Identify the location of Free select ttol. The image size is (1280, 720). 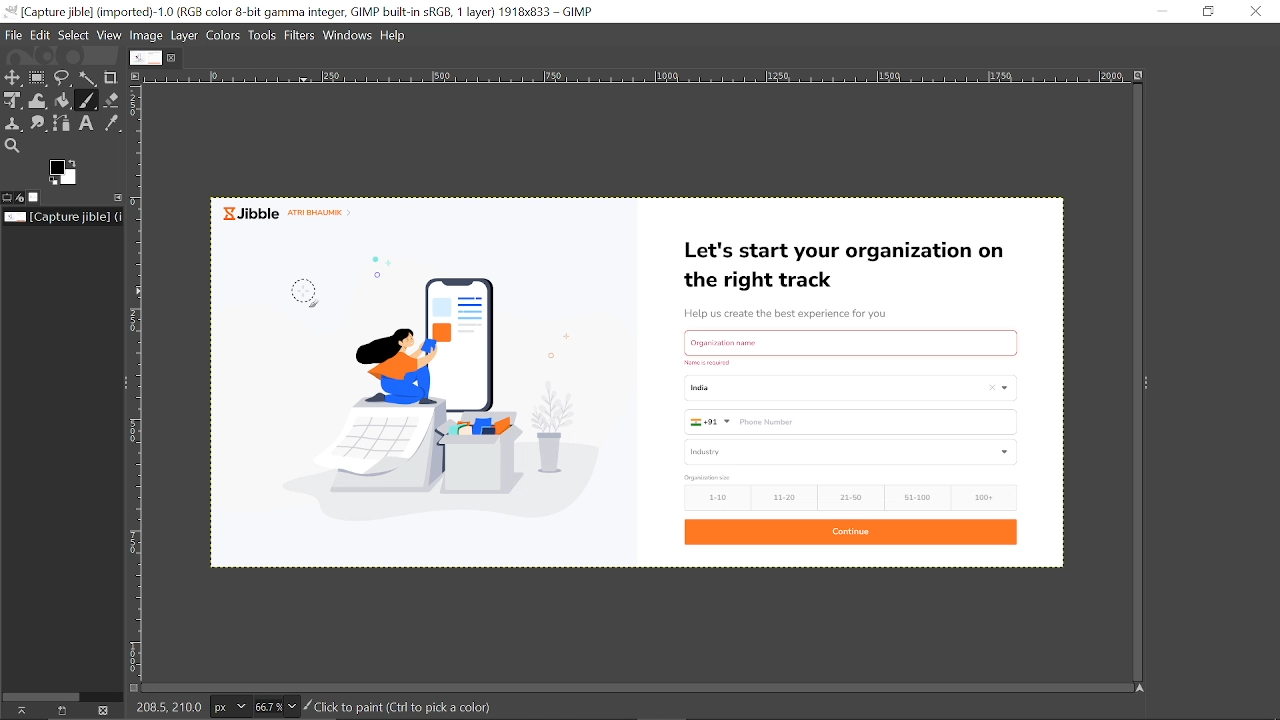
(64, 79).